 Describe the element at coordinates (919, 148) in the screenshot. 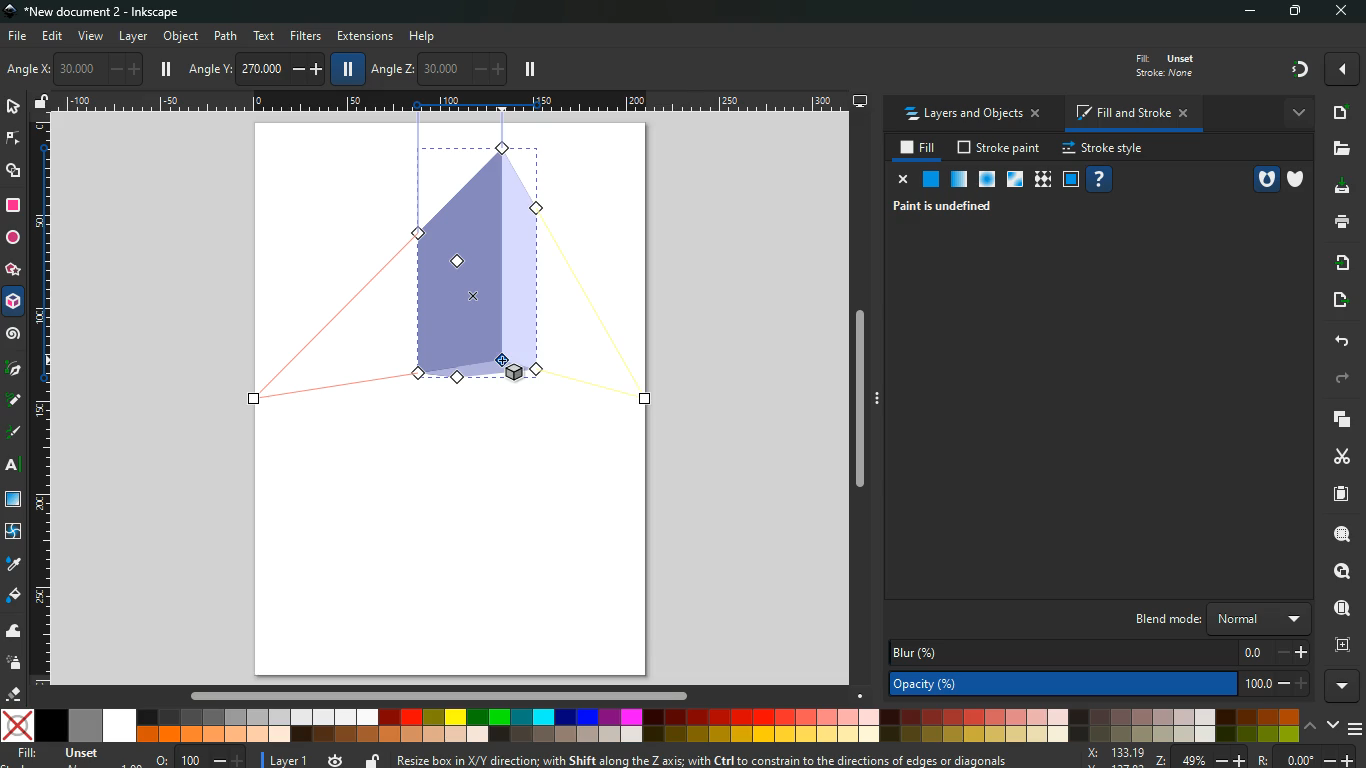

I see `fill` at that location.